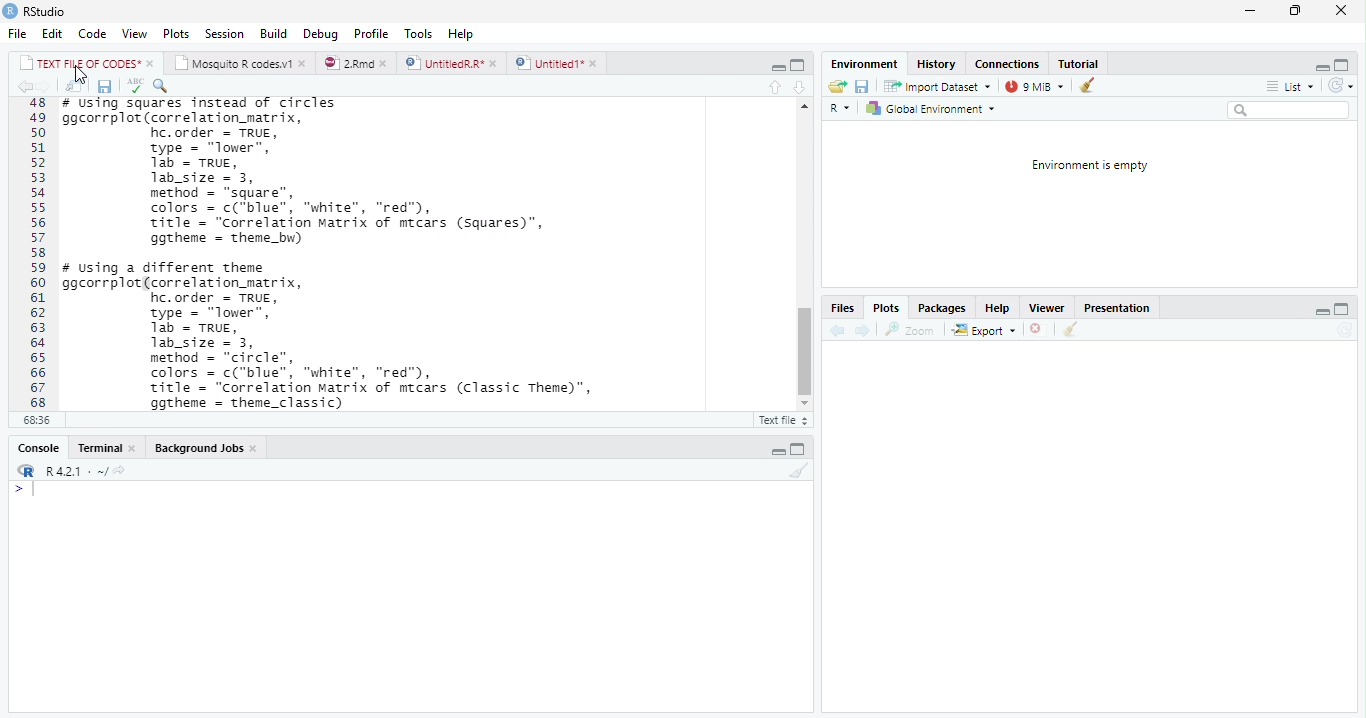  What do you see at coordinates (92, 35) in the screenshot?
I see `Code` at bounding box center [92, 35].